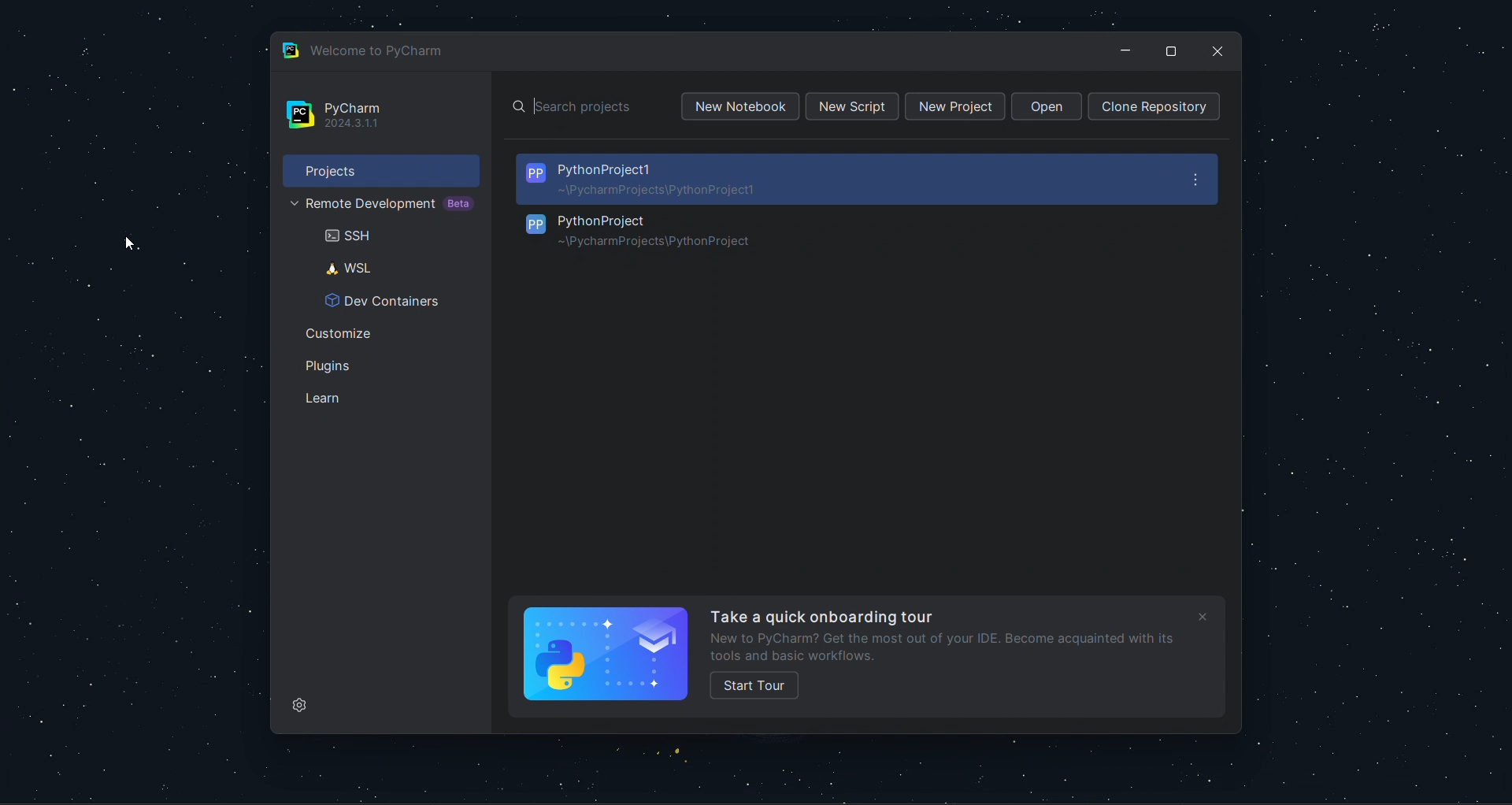 The image size is (1512, 805). Describe the element at coordinates (1046, 108) in the screenshot. I see `open` at that location.